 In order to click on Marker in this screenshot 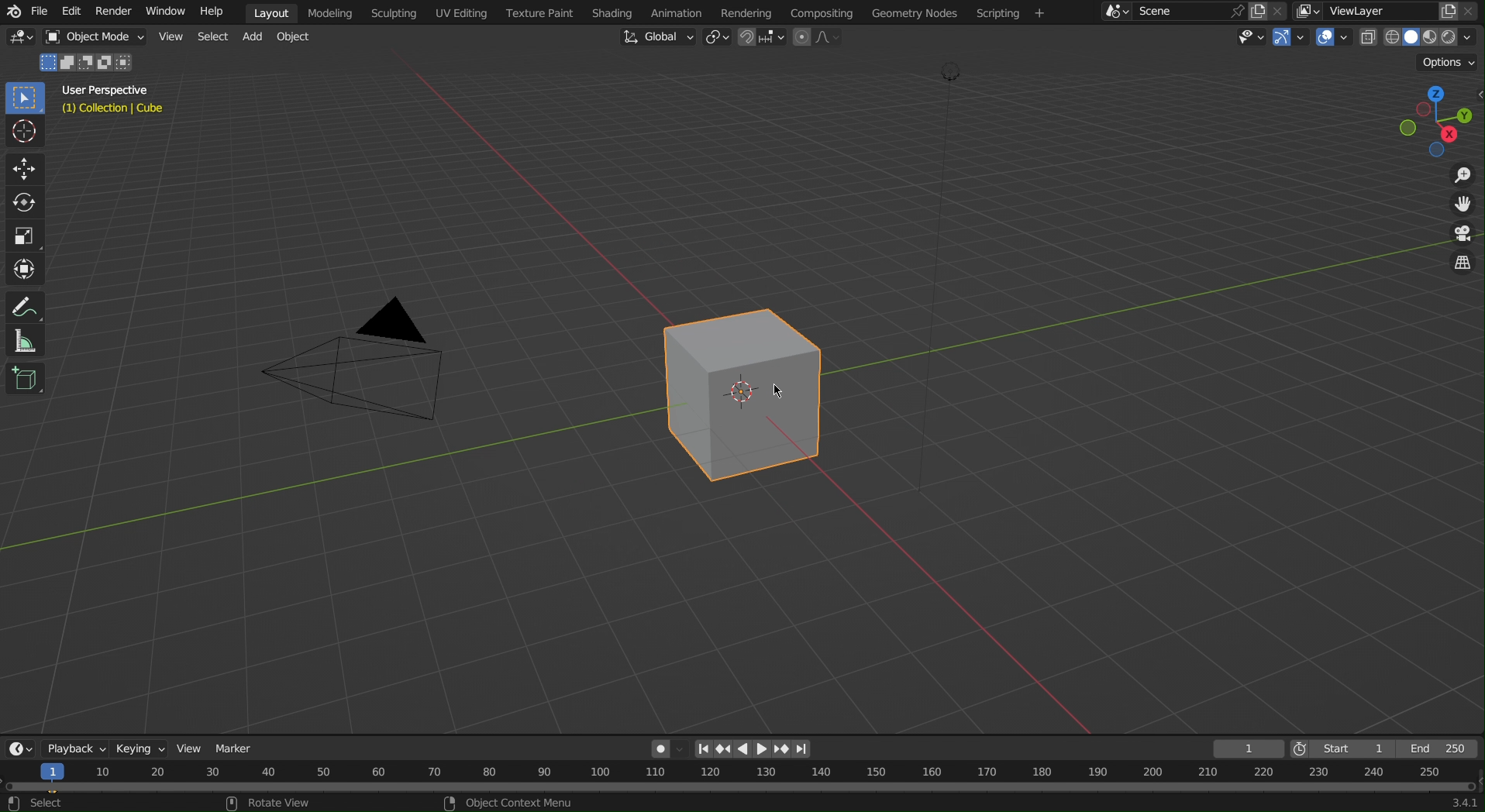, I will do `click(239, 749)`.